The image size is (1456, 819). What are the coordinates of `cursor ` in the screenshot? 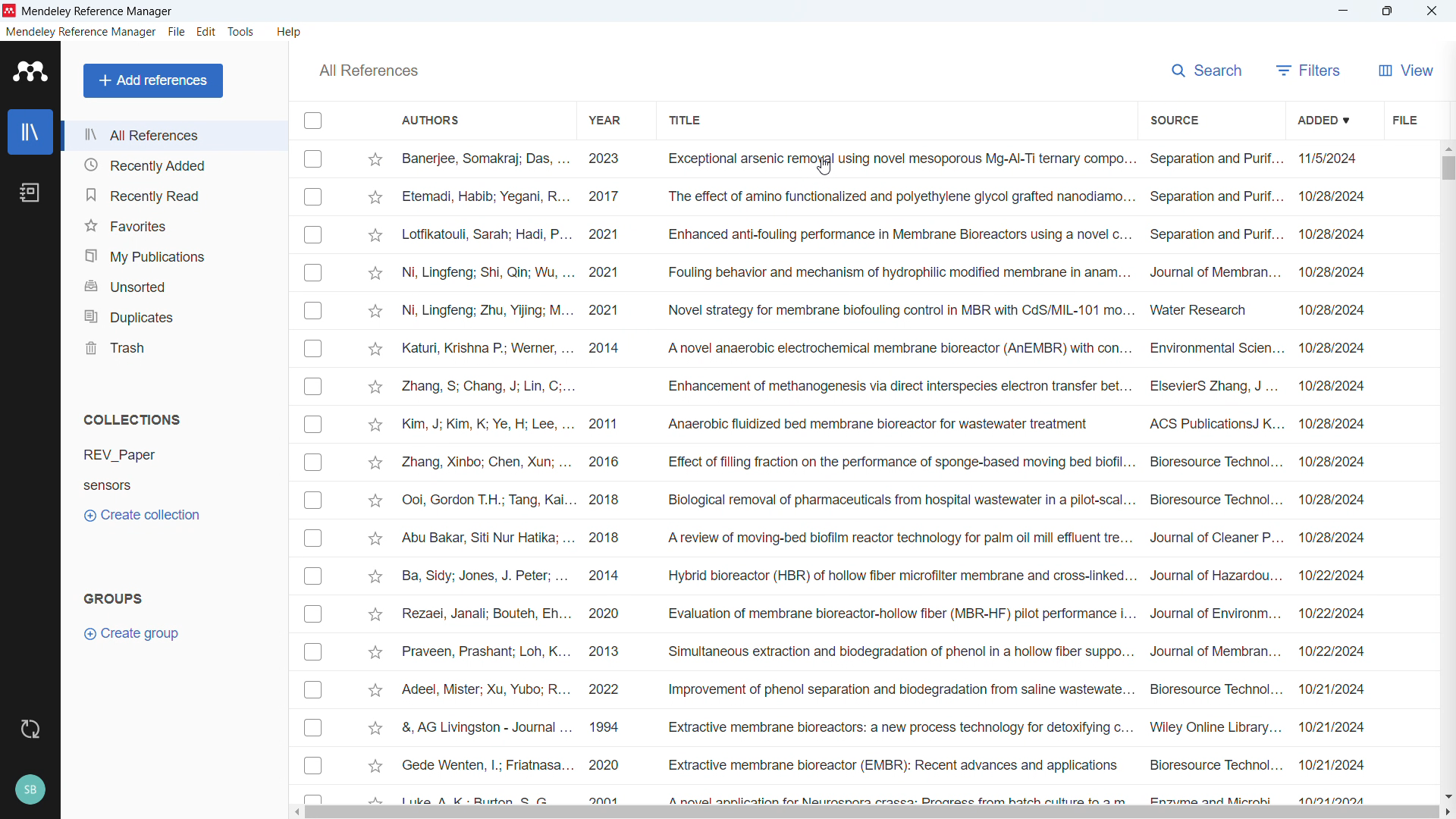 It's located at (827, 169).